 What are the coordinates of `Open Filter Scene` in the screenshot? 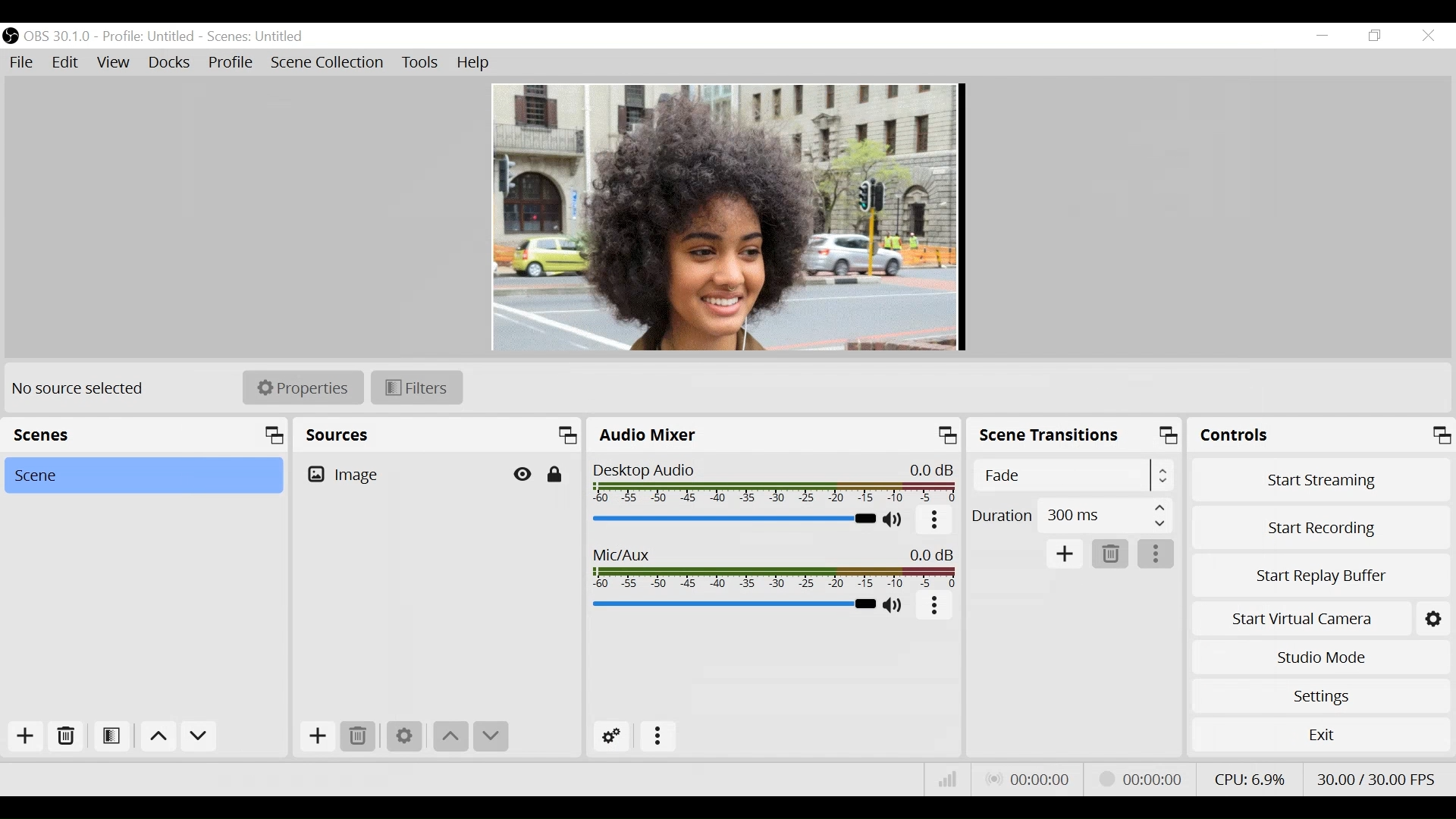 It's located at (112, 736).